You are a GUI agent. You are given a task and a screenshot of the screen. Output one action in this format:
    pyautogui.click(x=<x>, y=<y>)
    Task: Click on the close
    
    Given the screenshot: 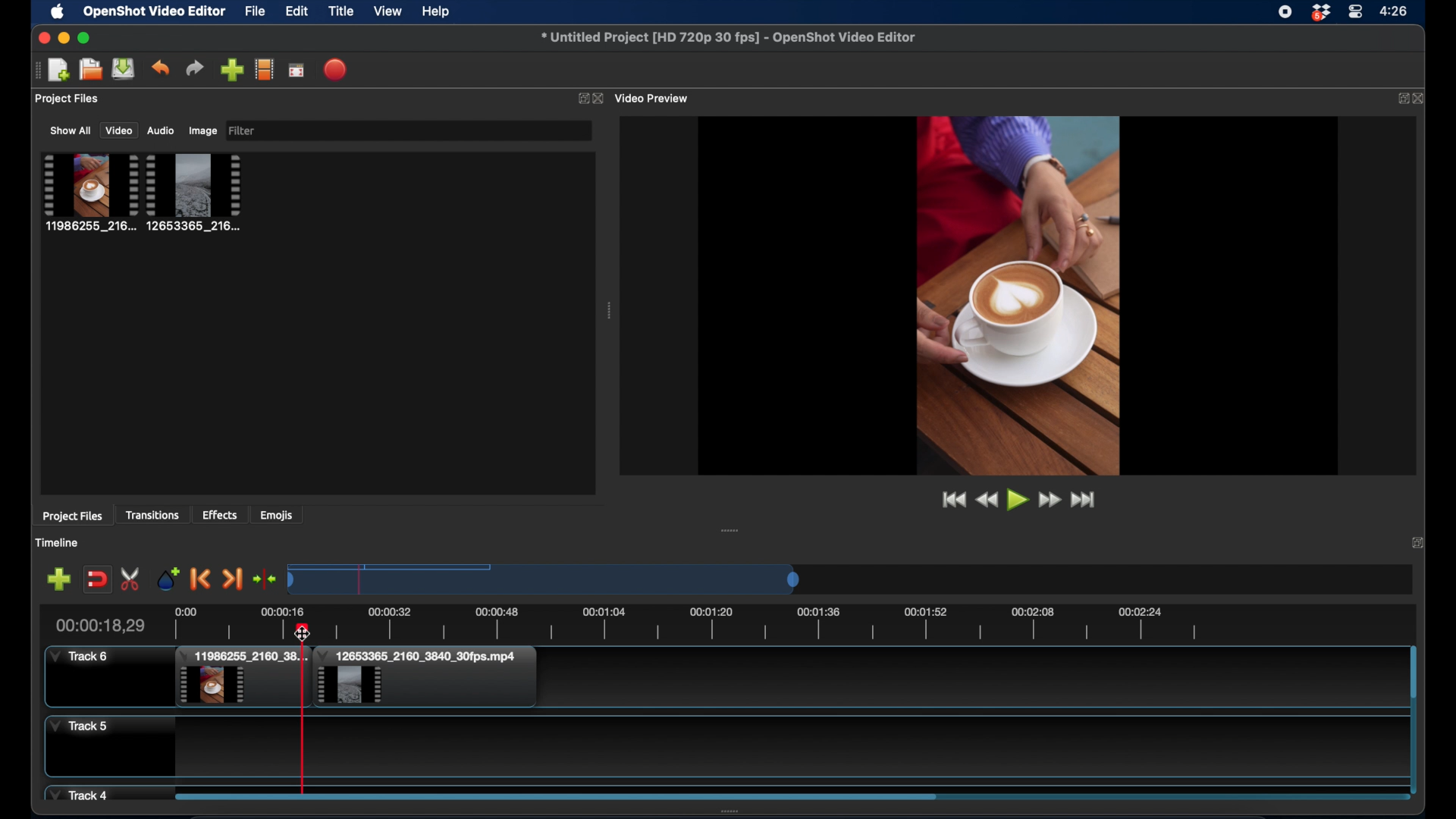 What is the action you would take?
    pyautogui.click(x=41, y=37)
    